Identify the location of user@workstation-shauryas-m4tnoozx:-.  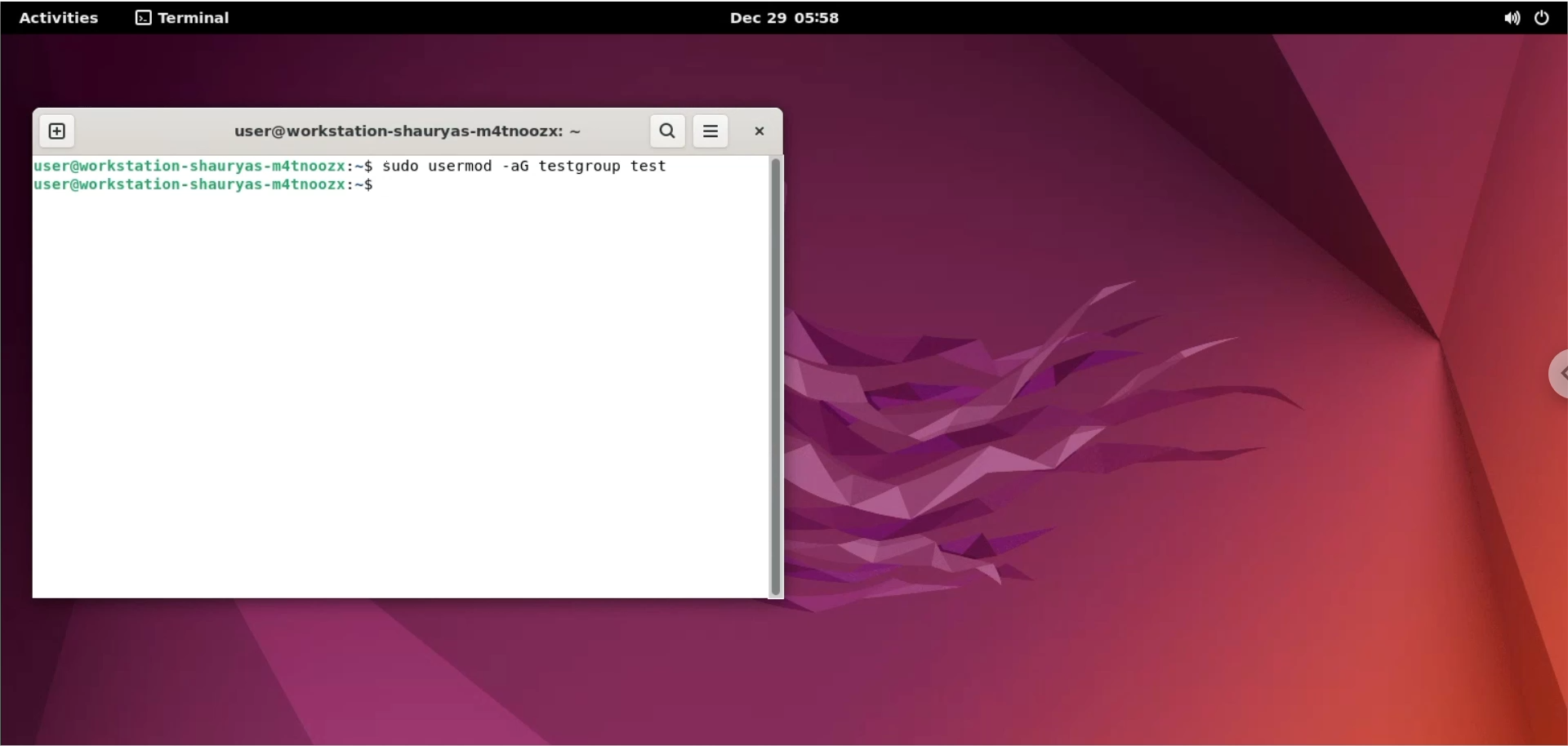
(390, 131).